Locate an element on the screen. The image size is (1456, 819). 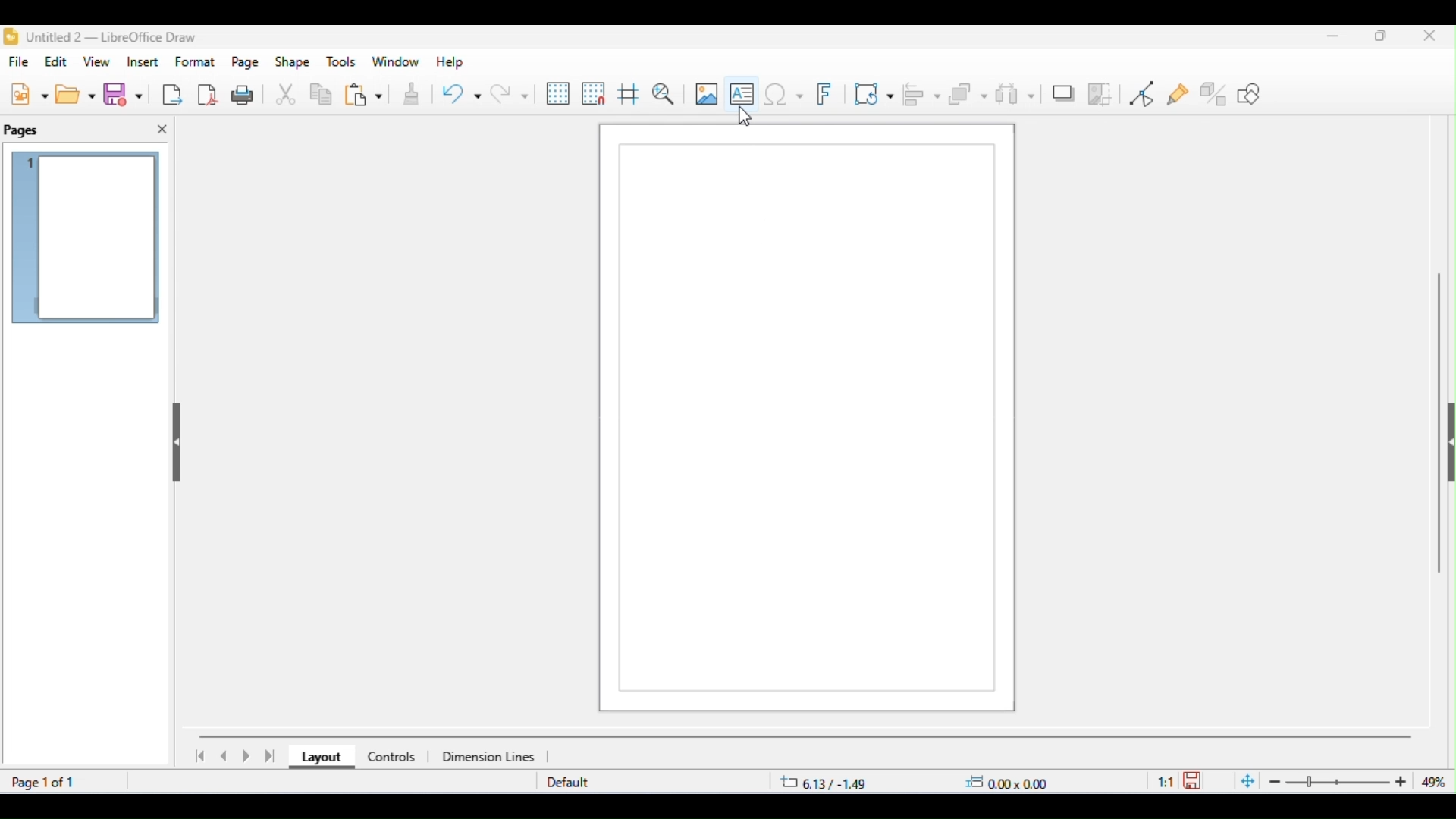
shape is located at coordinates (293, 63).